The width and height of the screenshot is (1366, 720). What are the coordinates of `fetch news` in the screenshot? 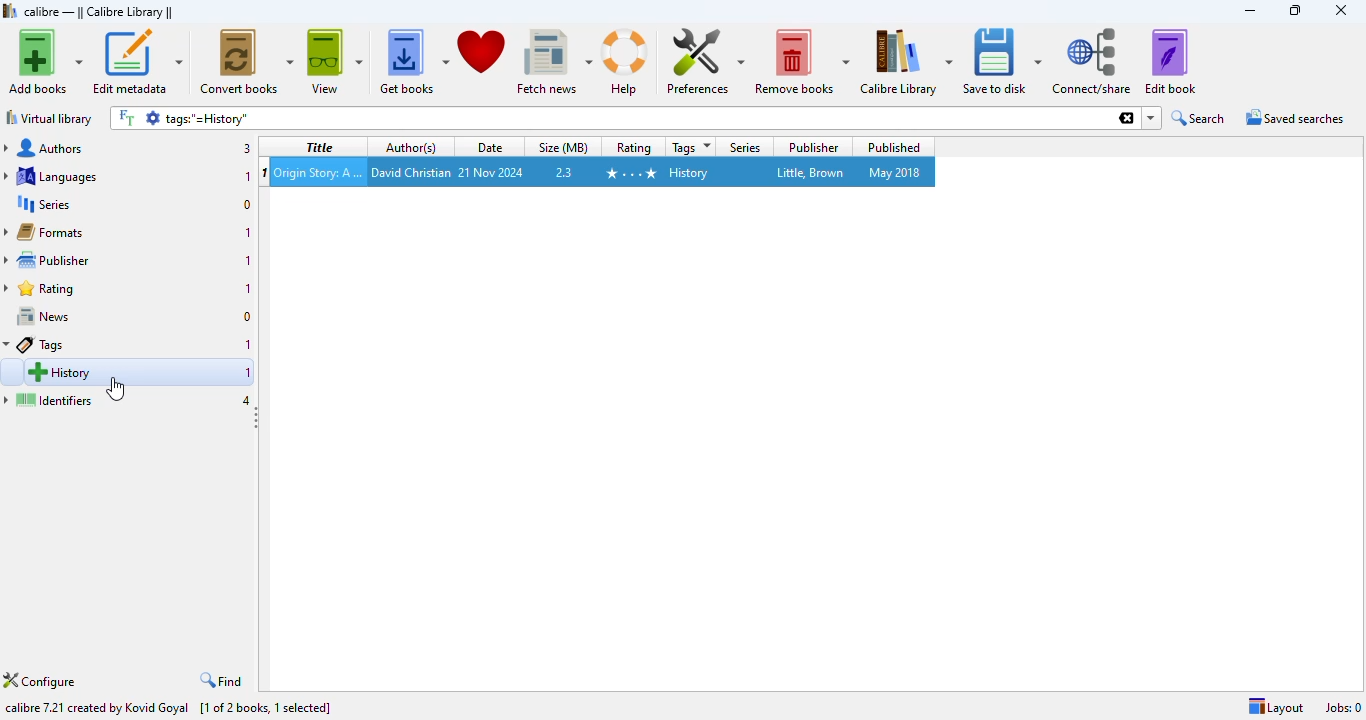 It's located at (554, 60).